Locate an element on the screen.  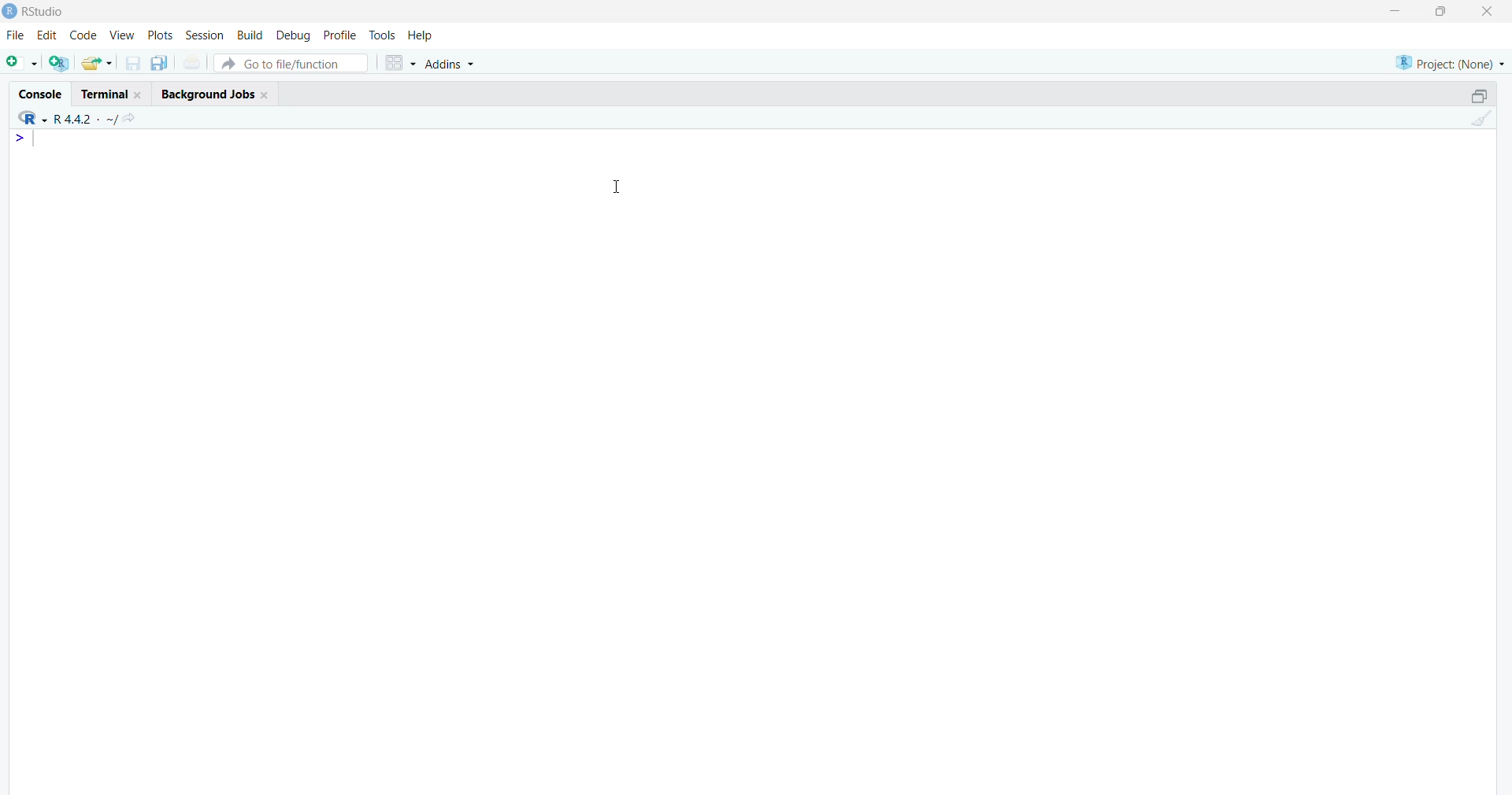
print the current file is located at coordinates (193, 64).